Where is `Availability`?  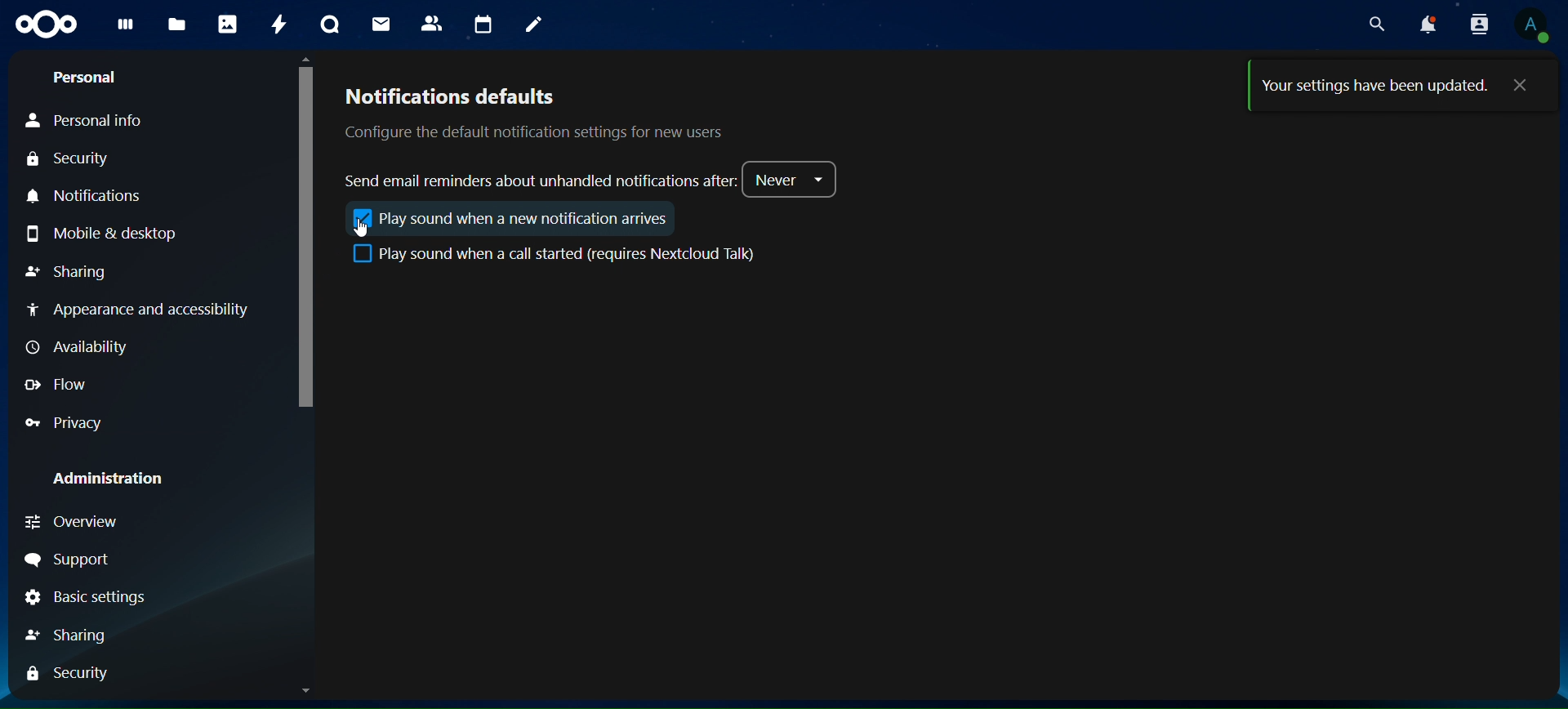
Availability is located at coordinates (75, 346).